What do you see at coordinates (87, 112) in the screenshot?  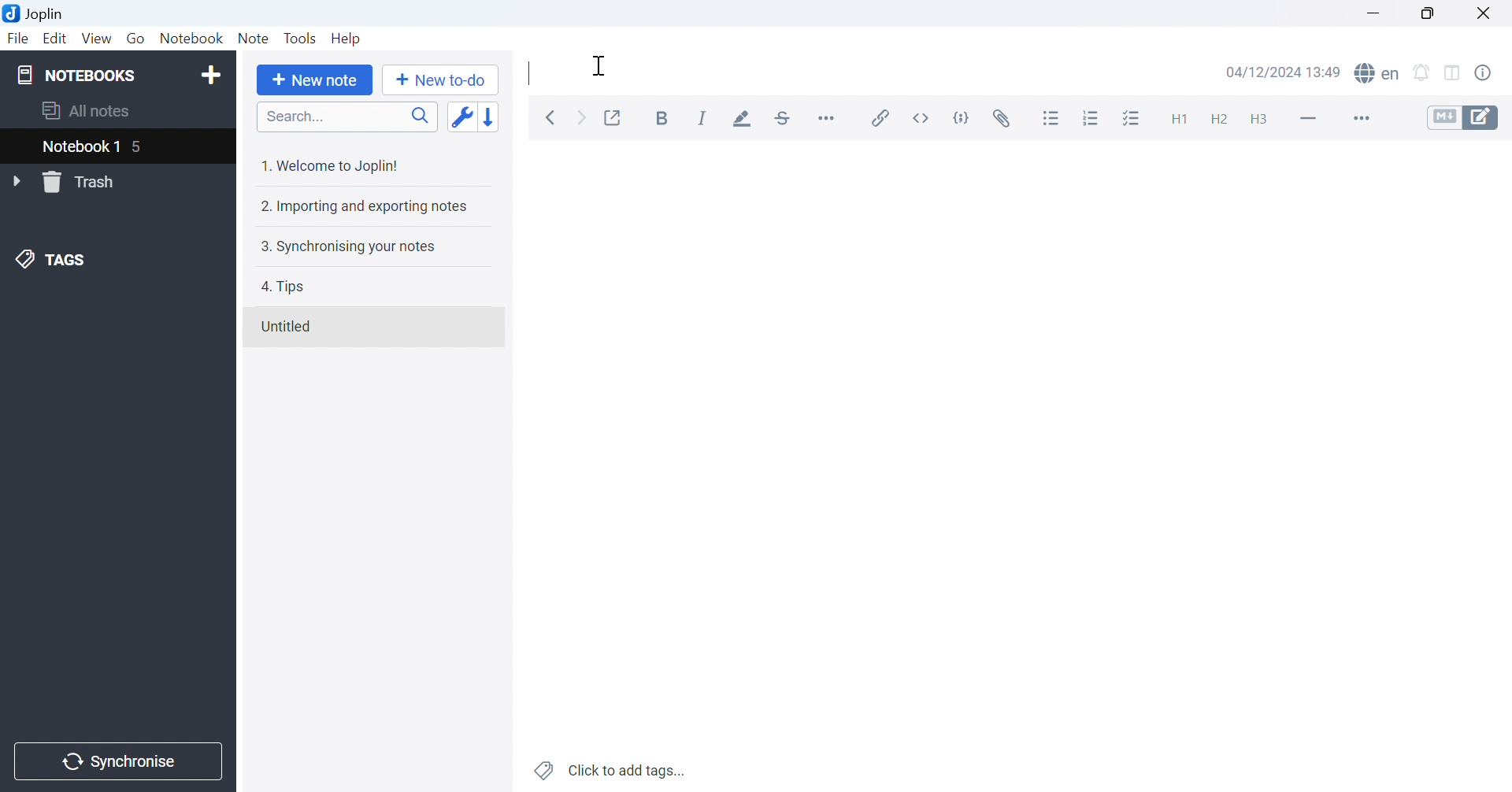 I see `All notes` at bounding box center [87, 112].